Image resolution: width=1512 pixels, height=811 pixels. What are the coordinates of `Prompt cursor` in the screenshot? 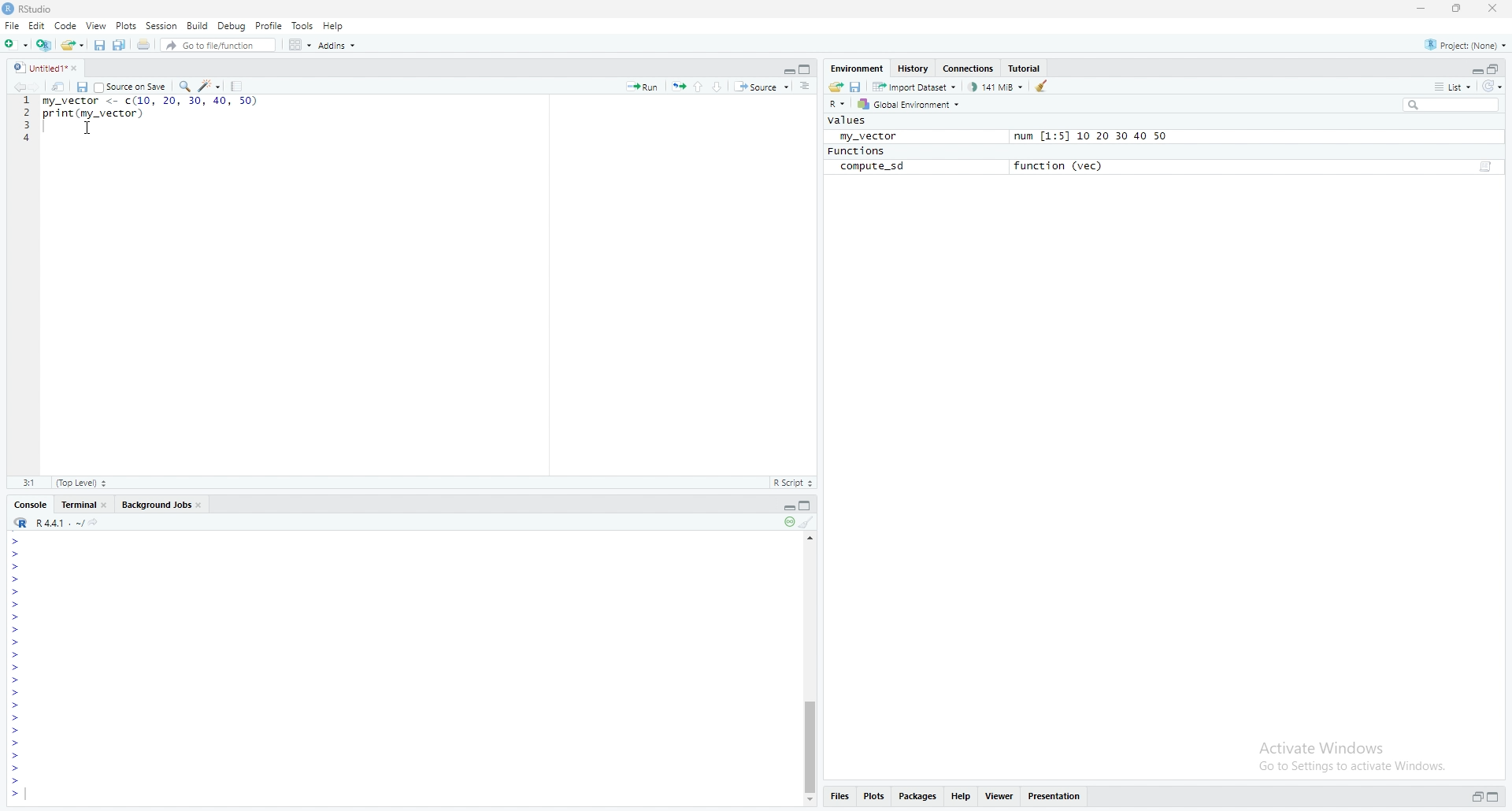 It's located at (17, 707).